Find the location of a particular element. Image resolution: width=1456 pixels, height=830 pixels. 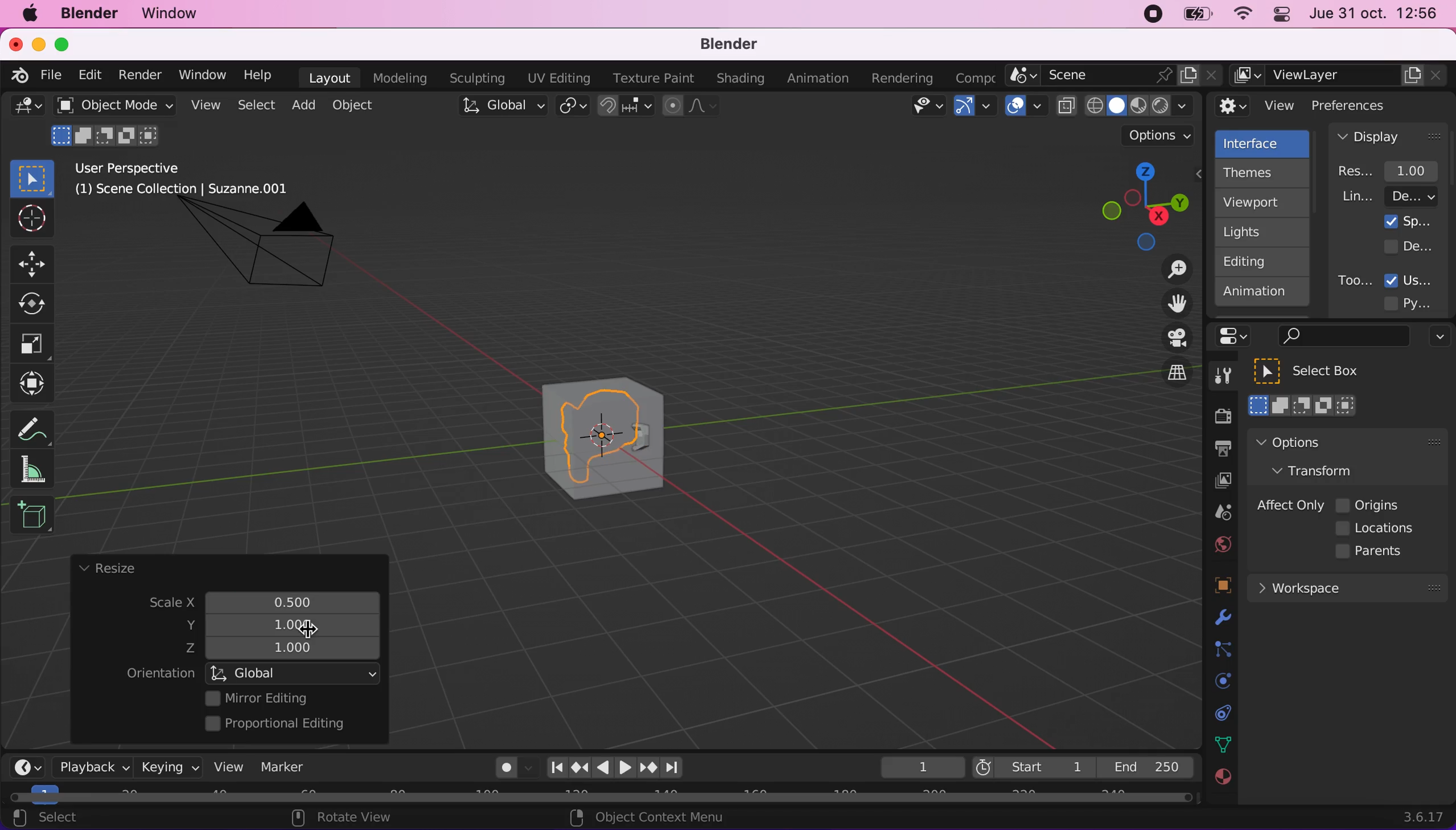

affect only is located at coordinates (1288, 505).